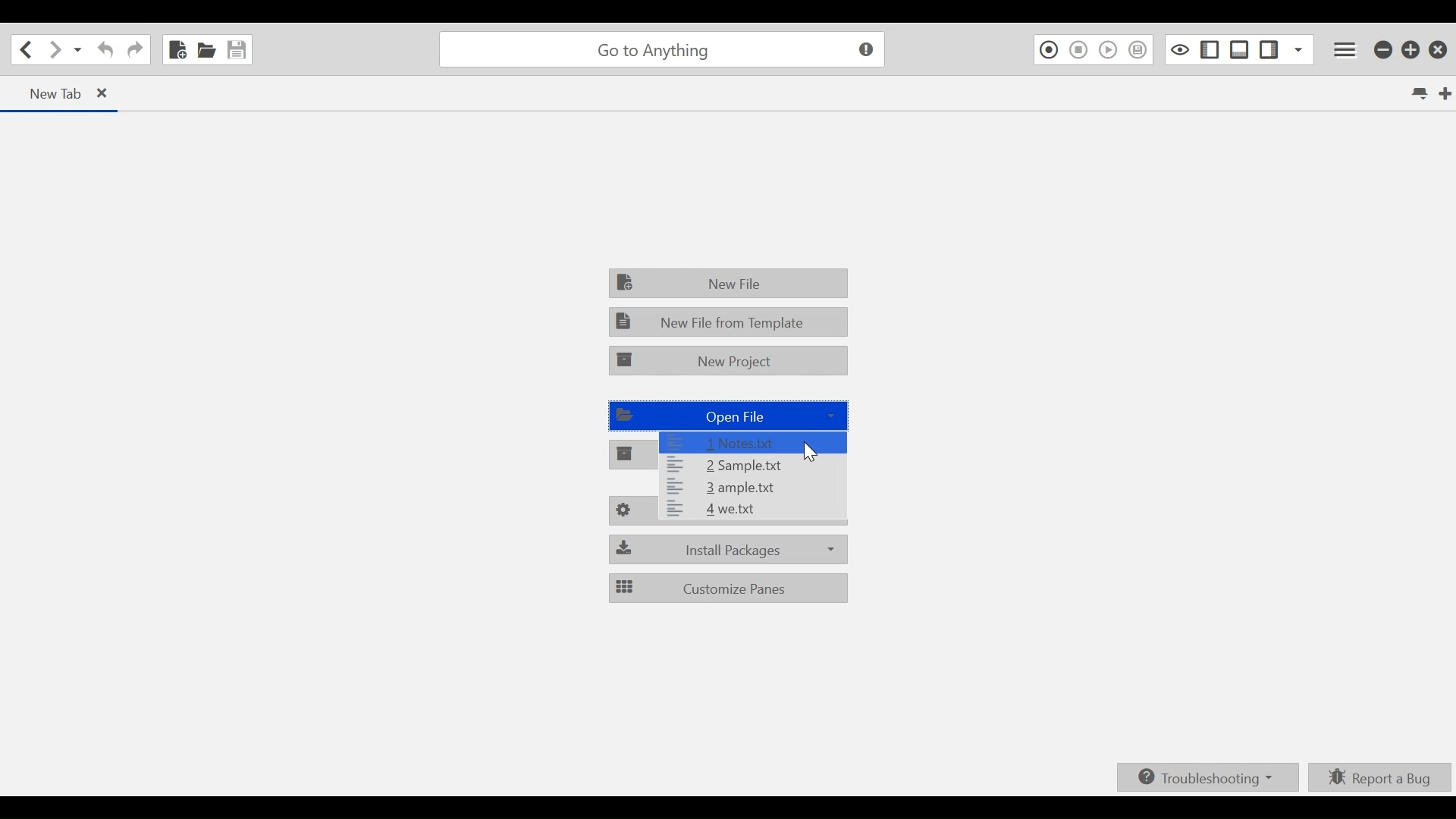  I want to click on Troubleshooting, so click(1207, 776).